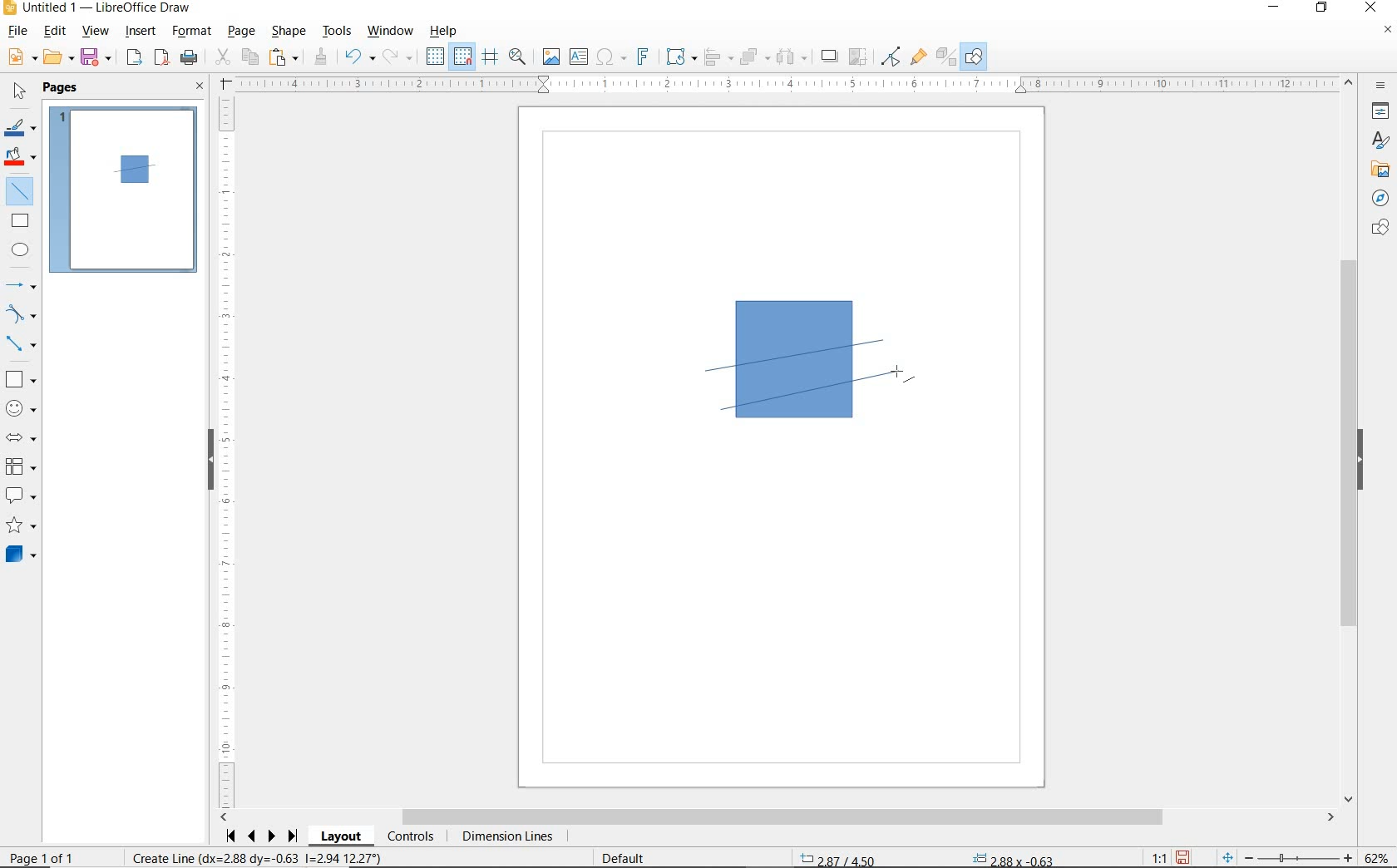  I want to click on TOGGLE EXTRUSION, so click(945, 56).